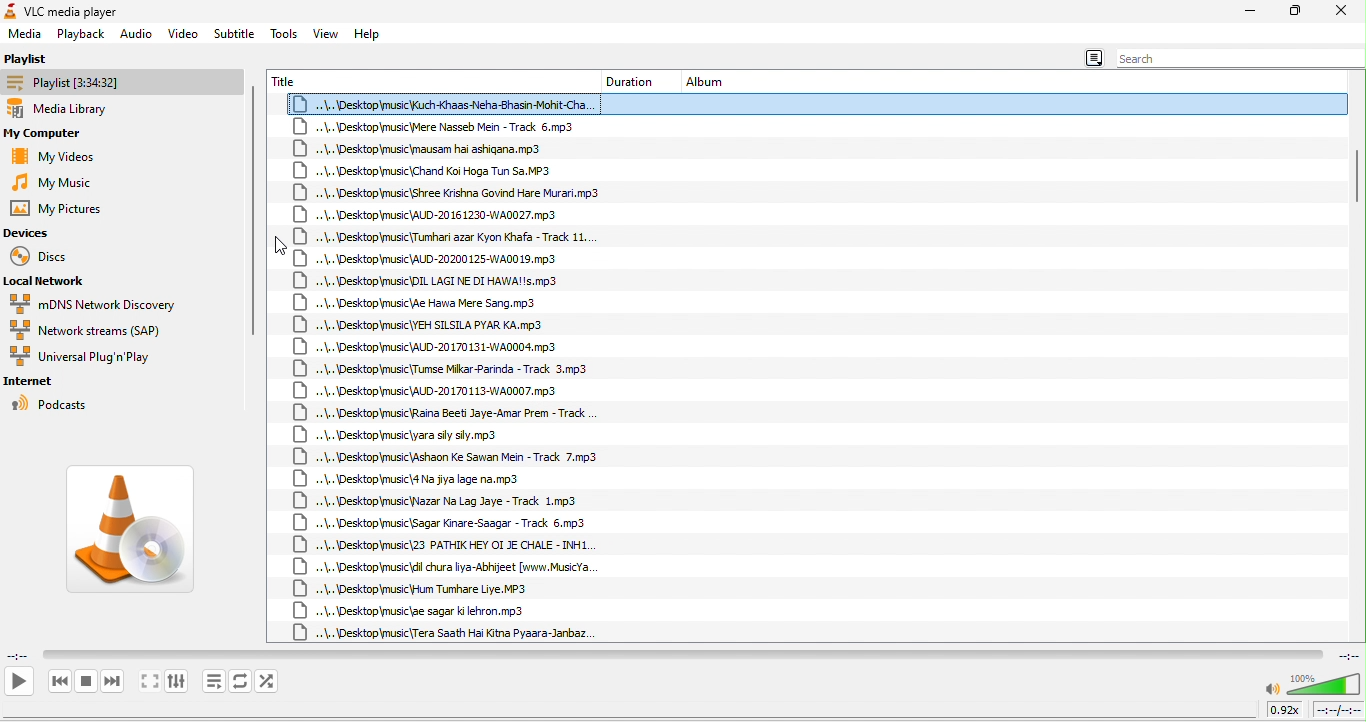 This screenshot has height=722, width=1366. What do you see at coordinates (1346, 655) in the screenshot?
I see `total time` at bounding box center [1346, 655].